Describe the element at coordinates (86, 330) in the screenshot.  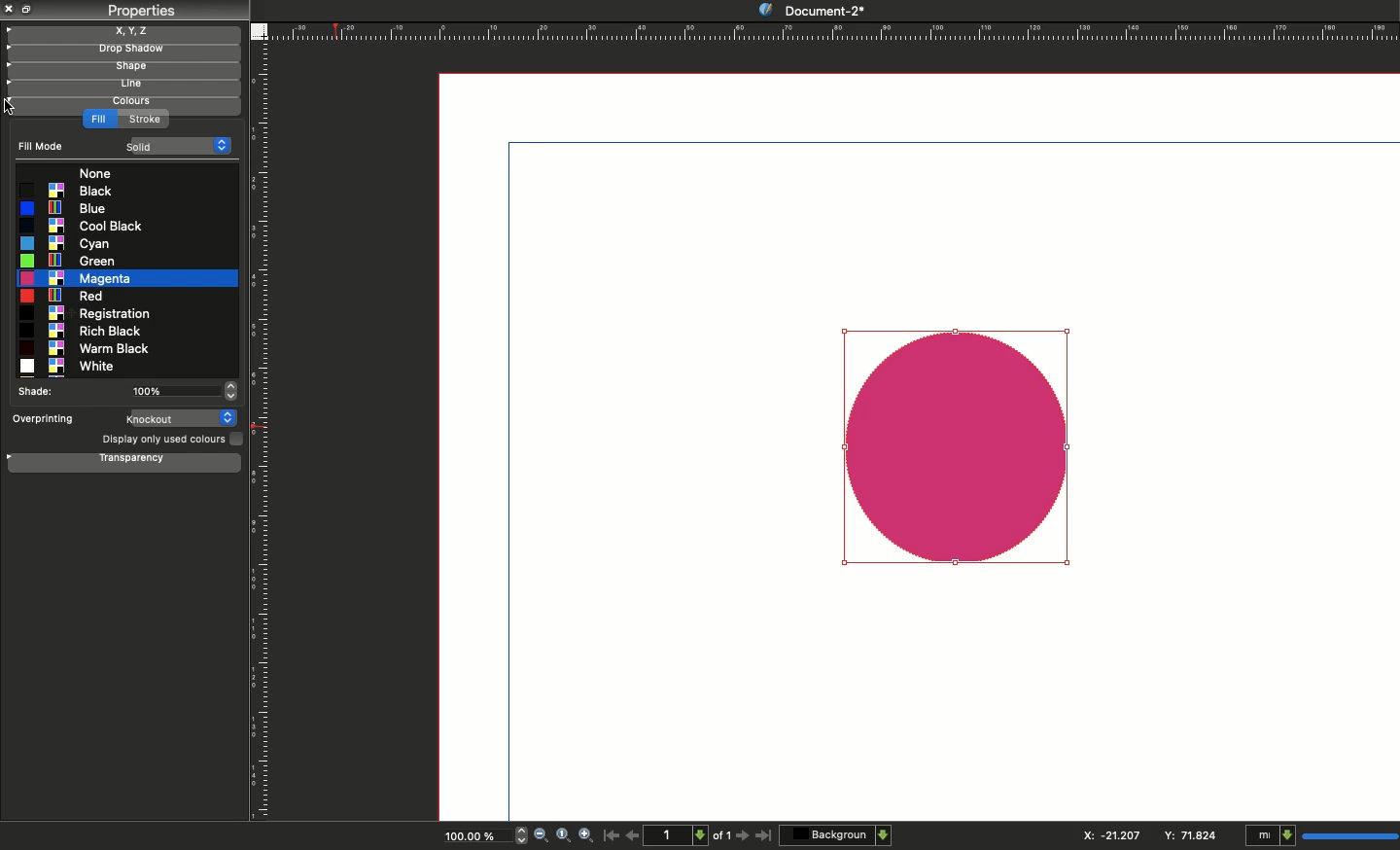
I see `Rich black` at that location.